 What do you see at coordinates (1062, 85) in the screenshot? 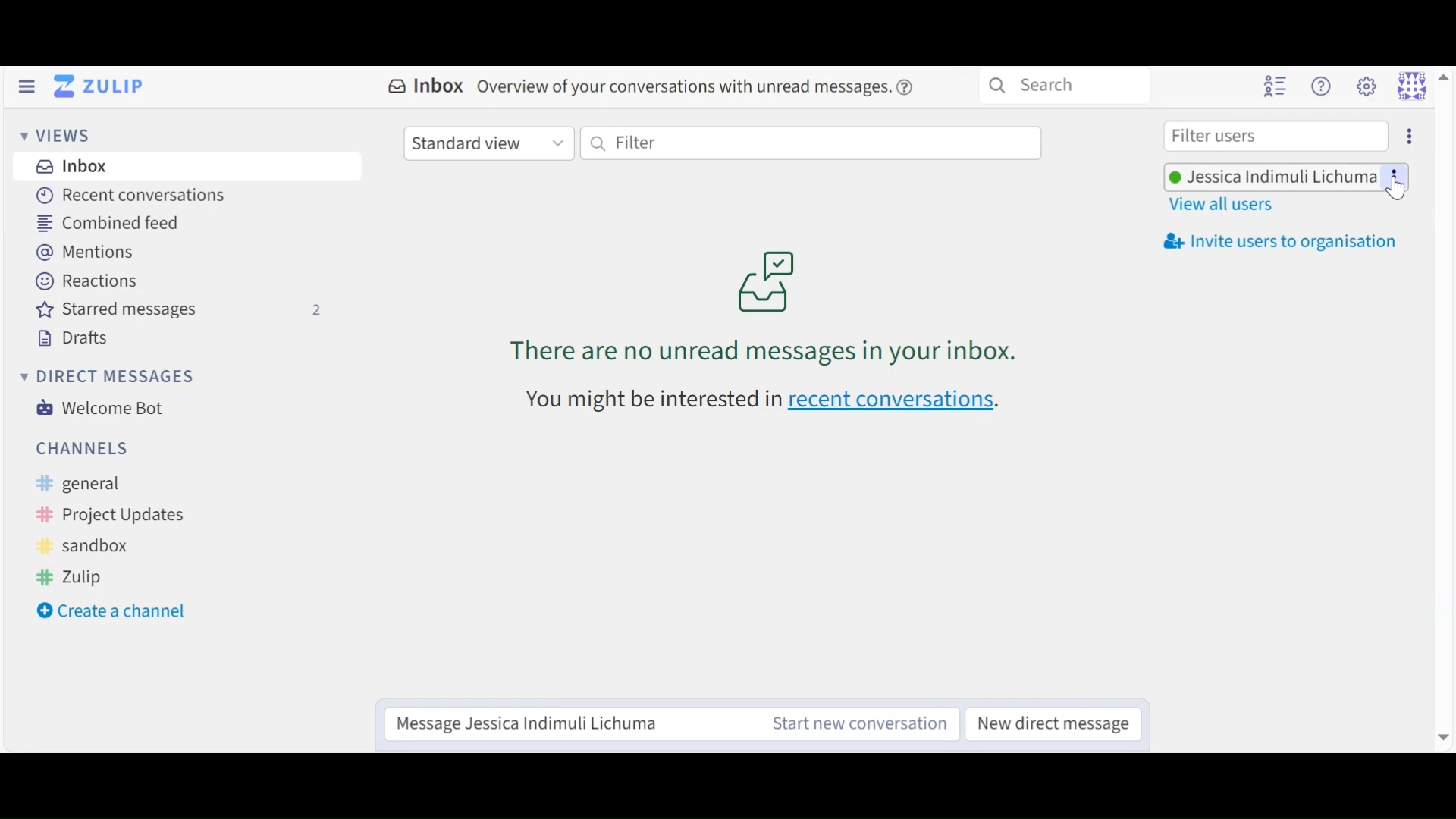
I see `Search` at bounding box center [1062, 85].